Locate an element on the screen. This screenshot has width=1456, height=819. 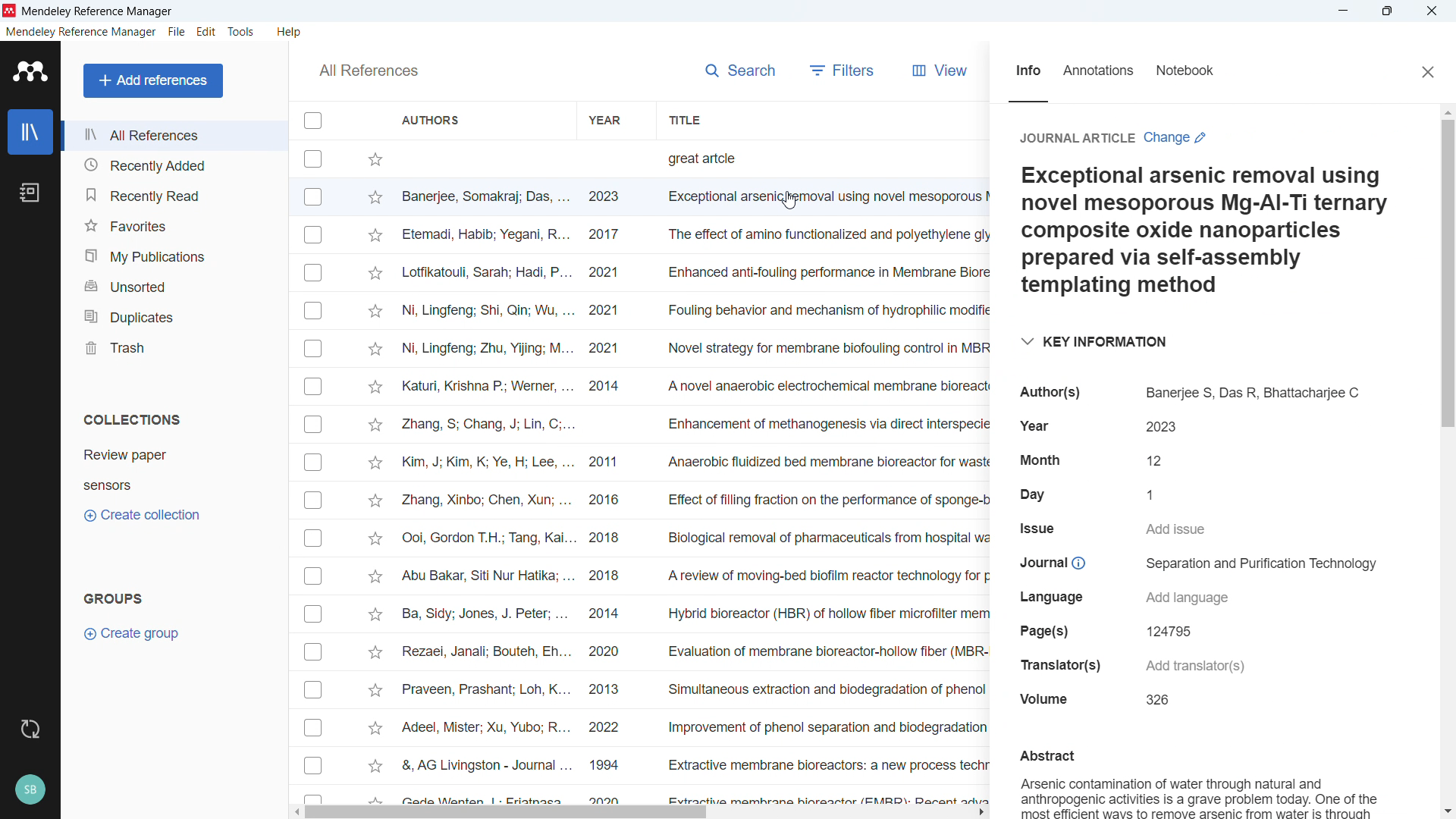
Key information  is located at coordinates (1091, 340).